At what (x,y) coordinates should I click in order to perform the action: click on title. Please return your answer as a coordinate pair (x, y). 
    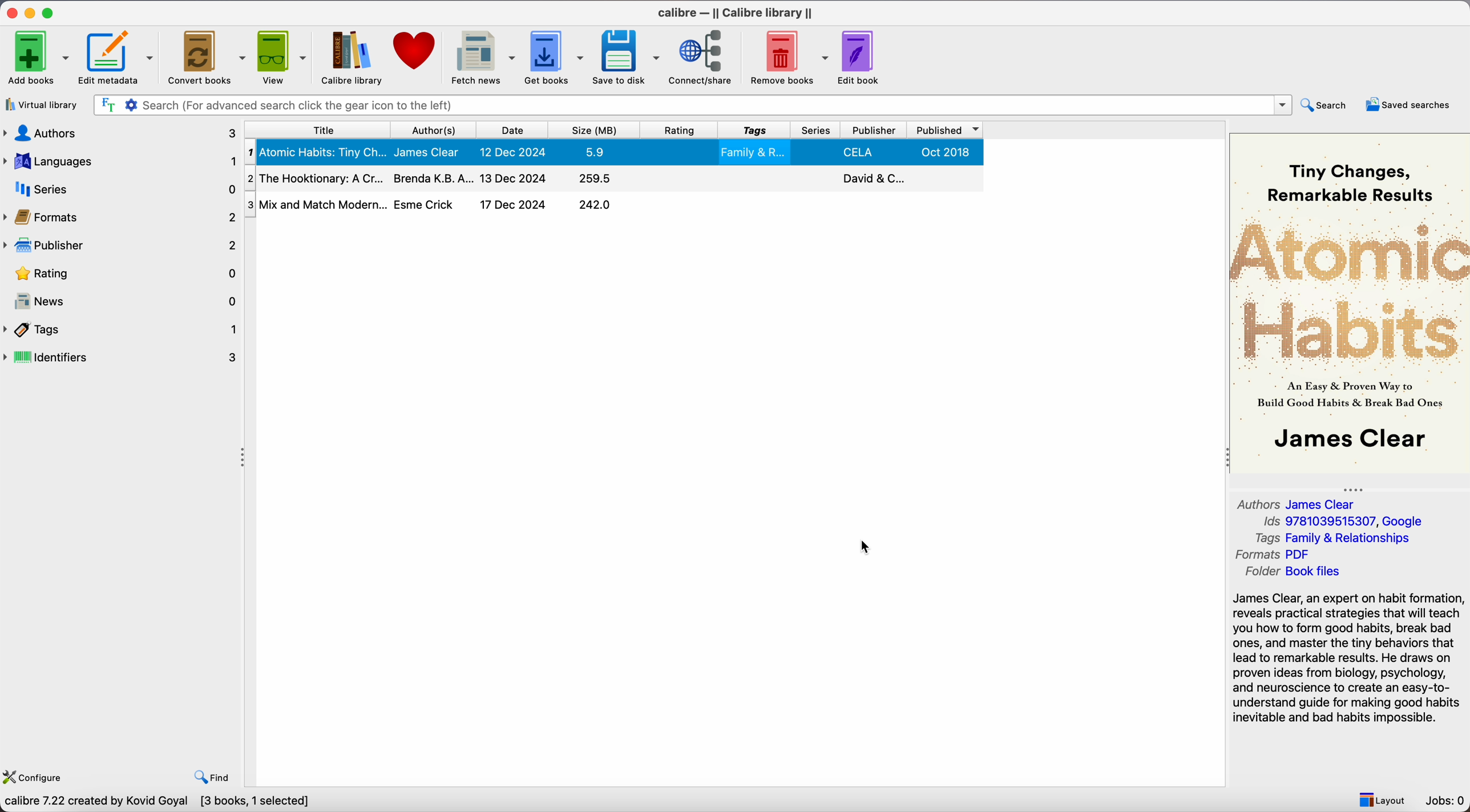
    Looking at the image, I should click on (315, 129).